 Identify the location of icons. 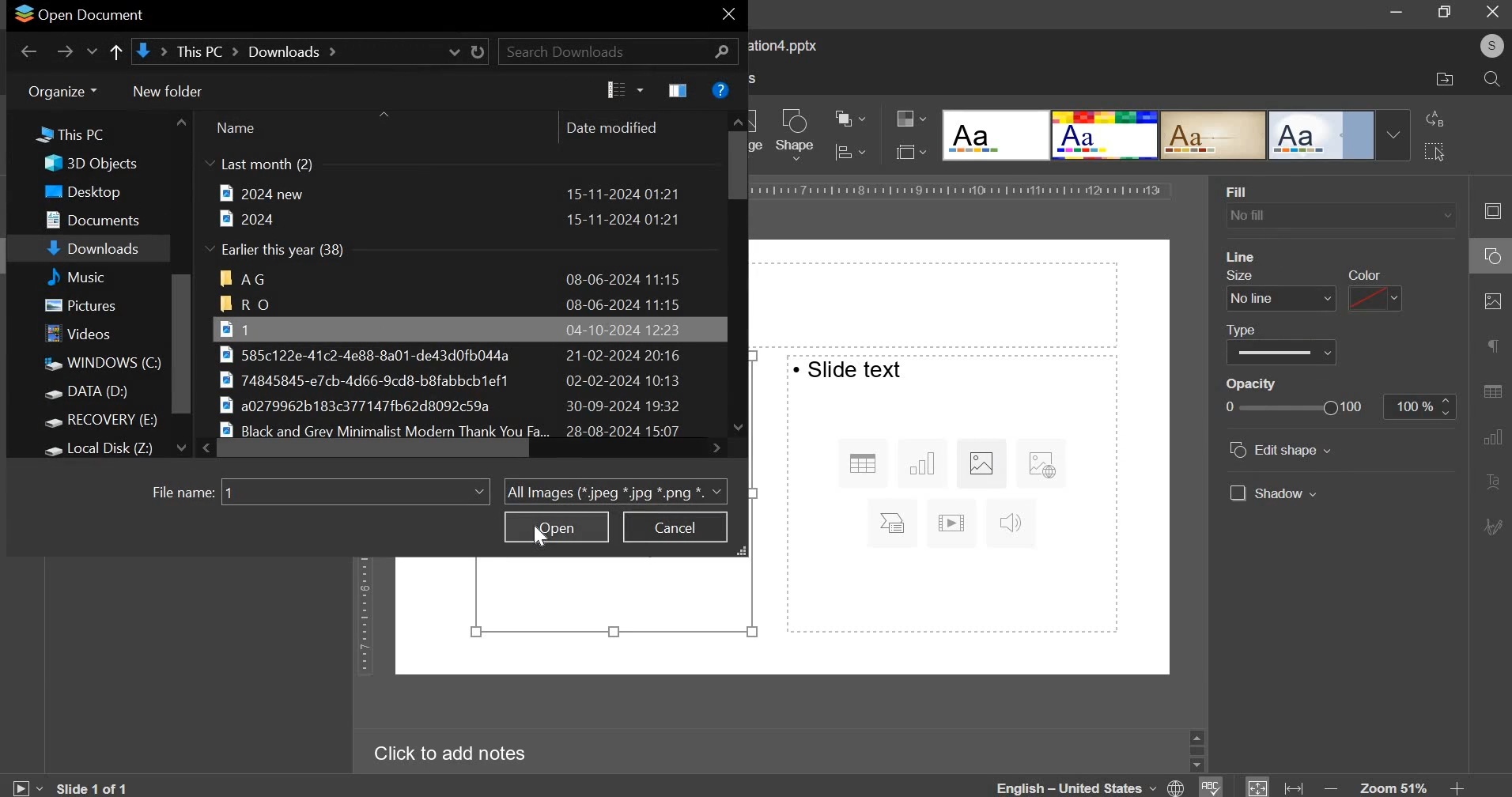
(950, 496).